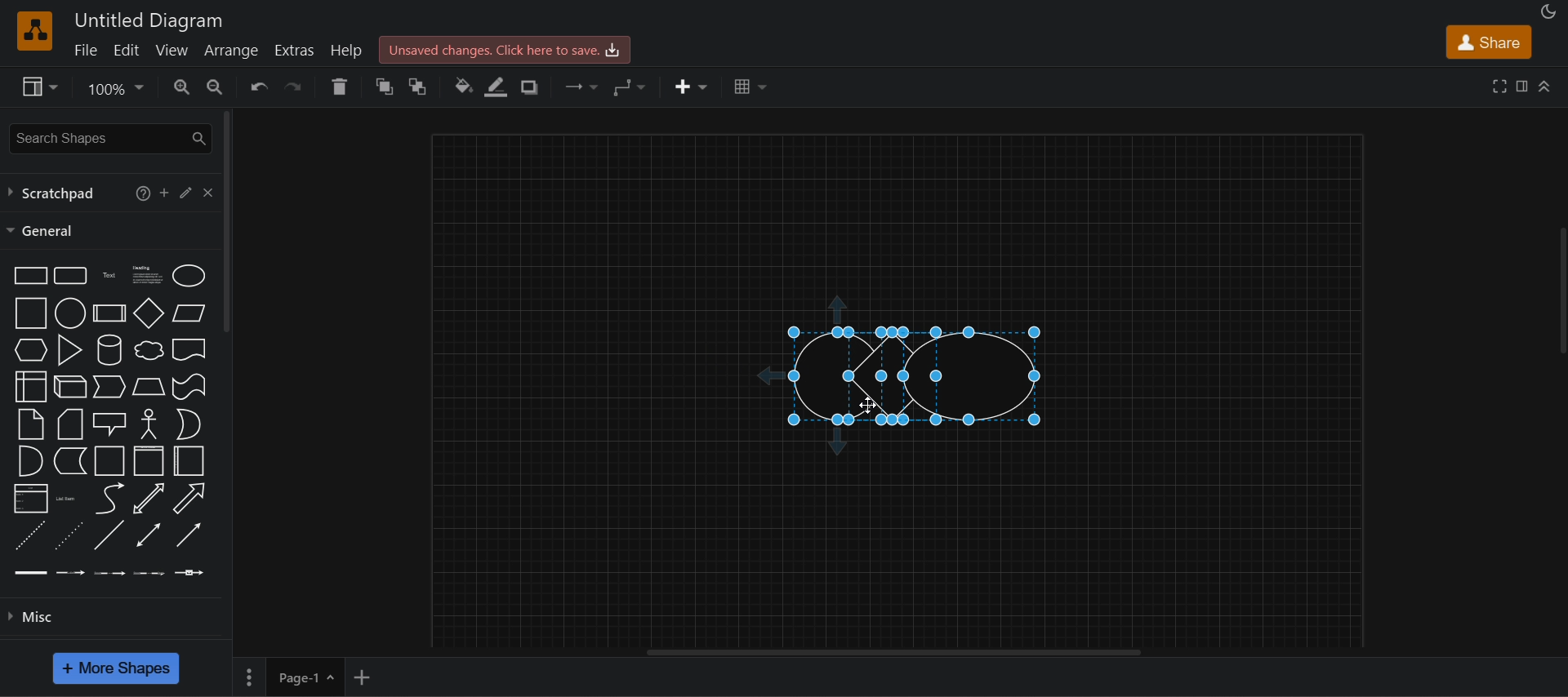 The height and width of the screenshot is (697, 1568). I want to click on hexagon, so click(29, 349).